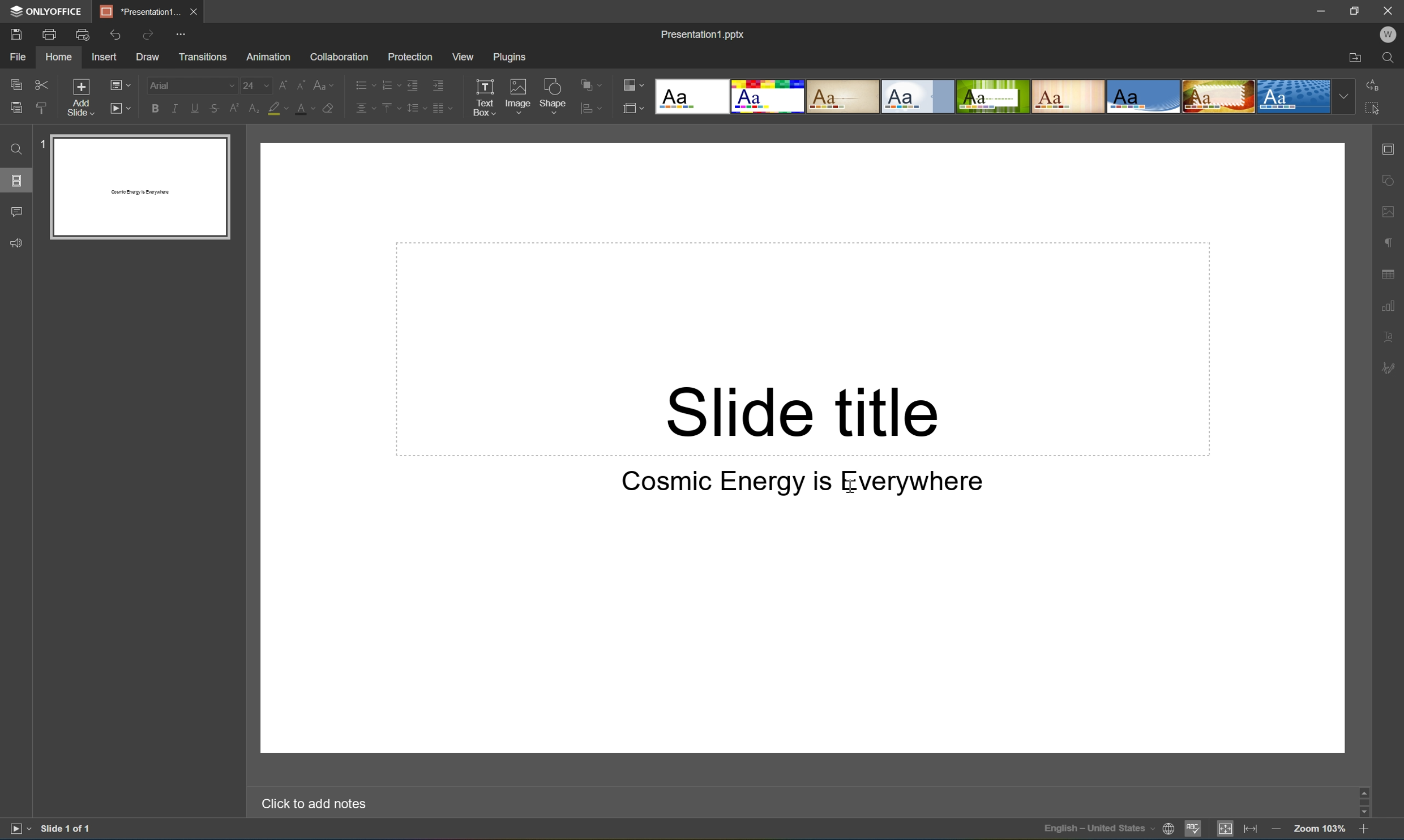  I want to click on Numbering, so click(389, 83).